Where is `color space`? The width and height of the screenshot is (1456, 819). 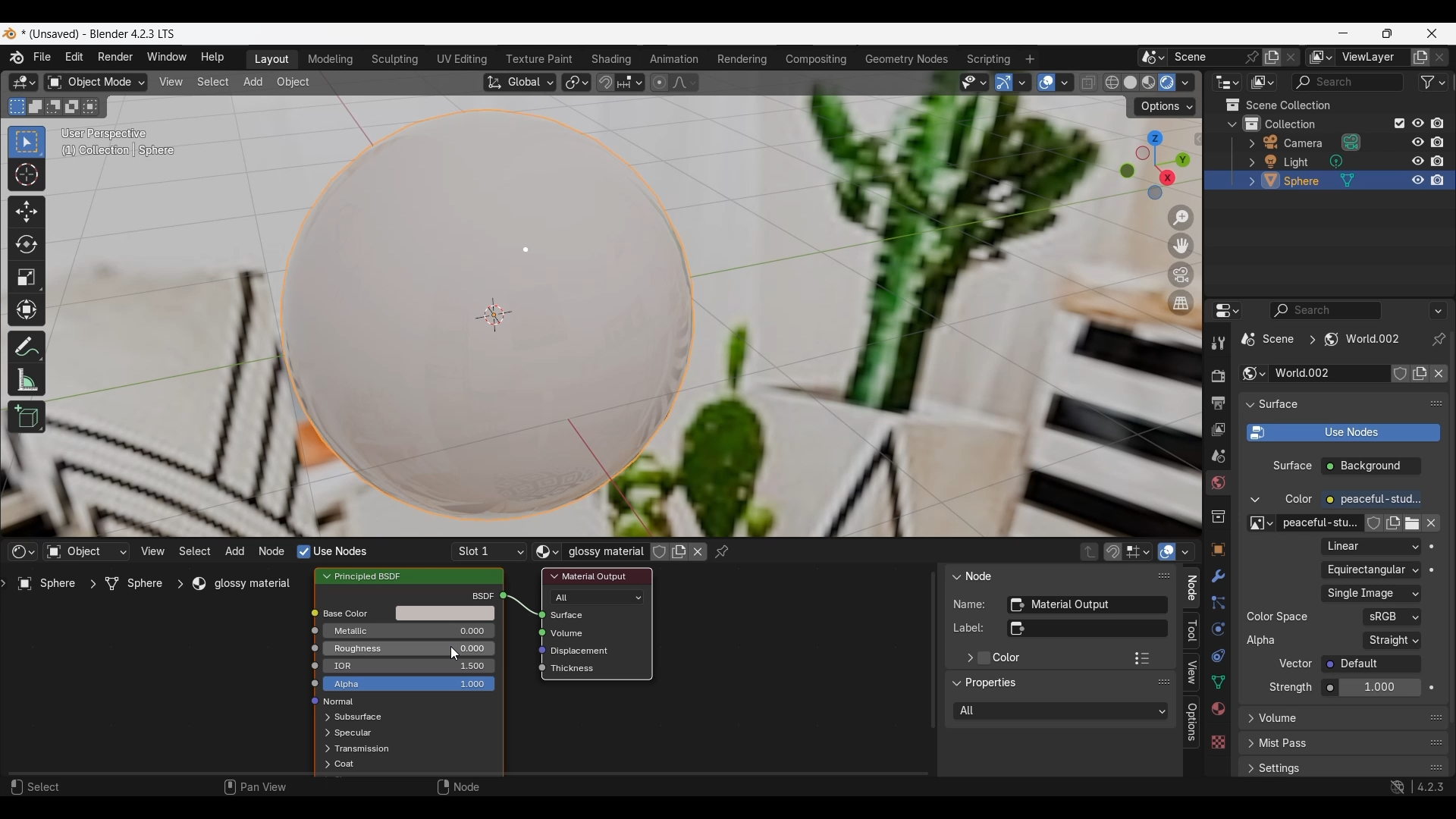
color space is located at coordinates (1278, 617).